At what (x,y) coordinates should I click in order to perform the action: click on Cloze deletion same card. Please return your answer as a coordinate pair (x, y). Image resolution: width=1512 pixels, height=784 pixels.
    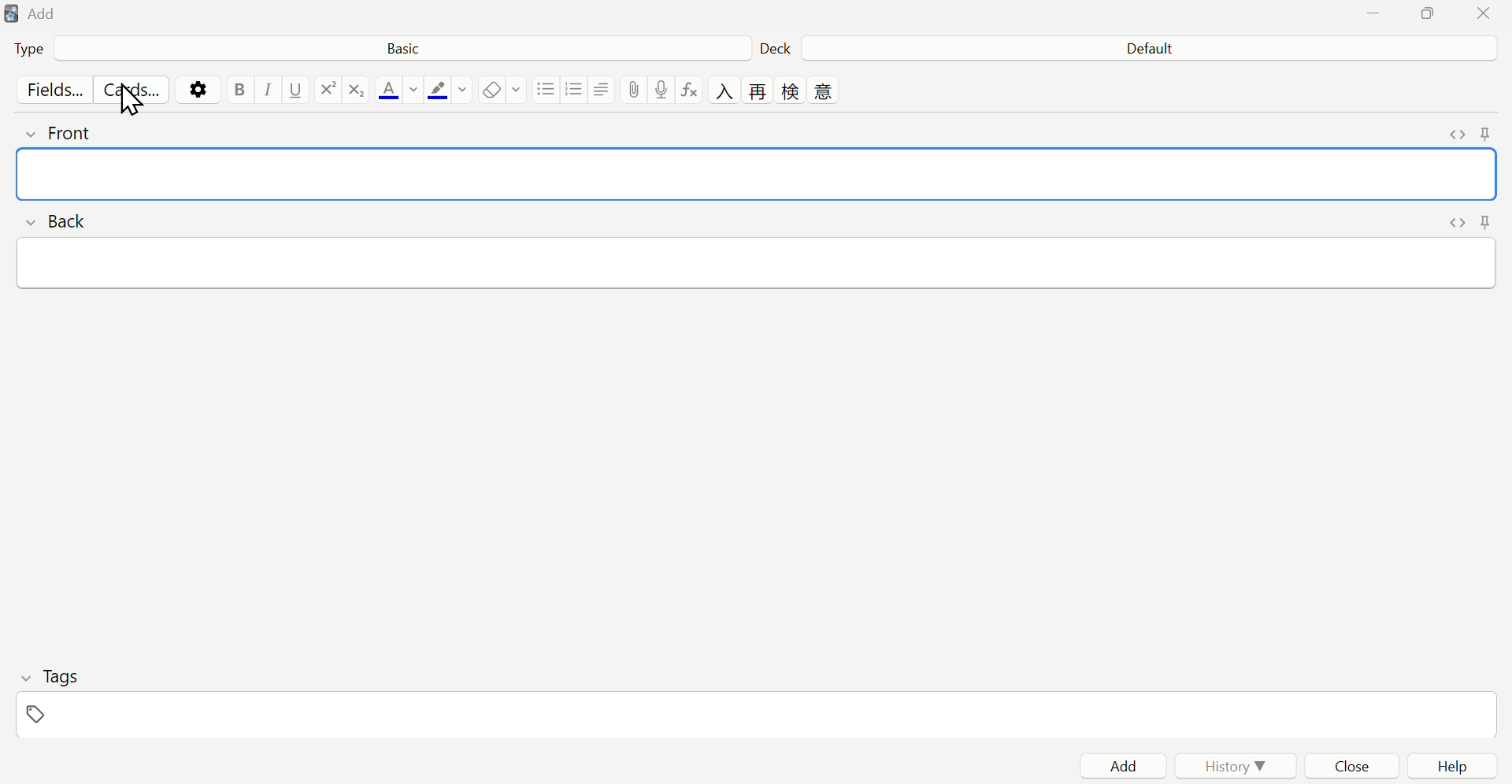
    Looking at the image, I should click on (826, 92).